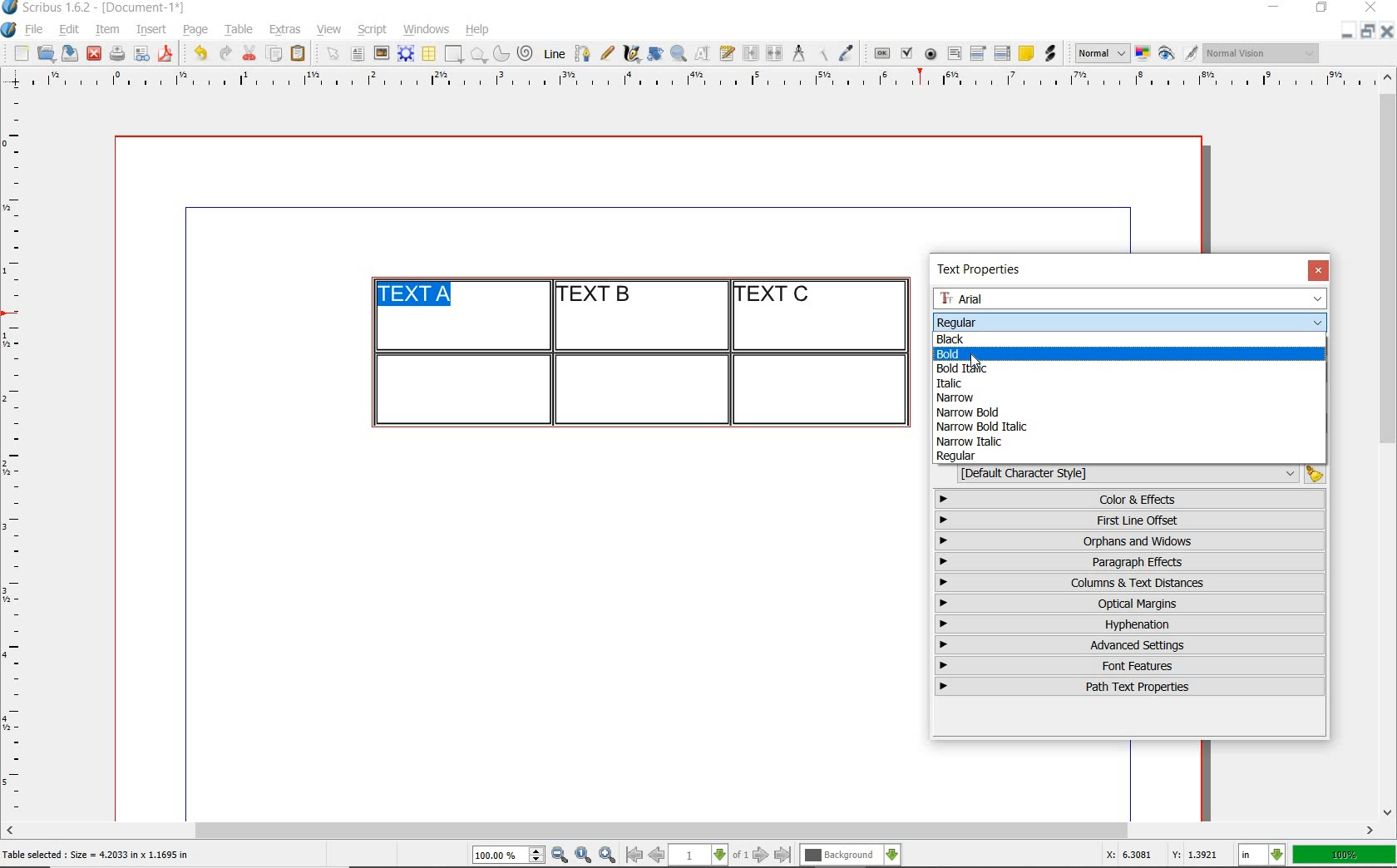  Describe the element at coordinates (1133, 583) in the screenshot. I see `columns & text distances` at that location.